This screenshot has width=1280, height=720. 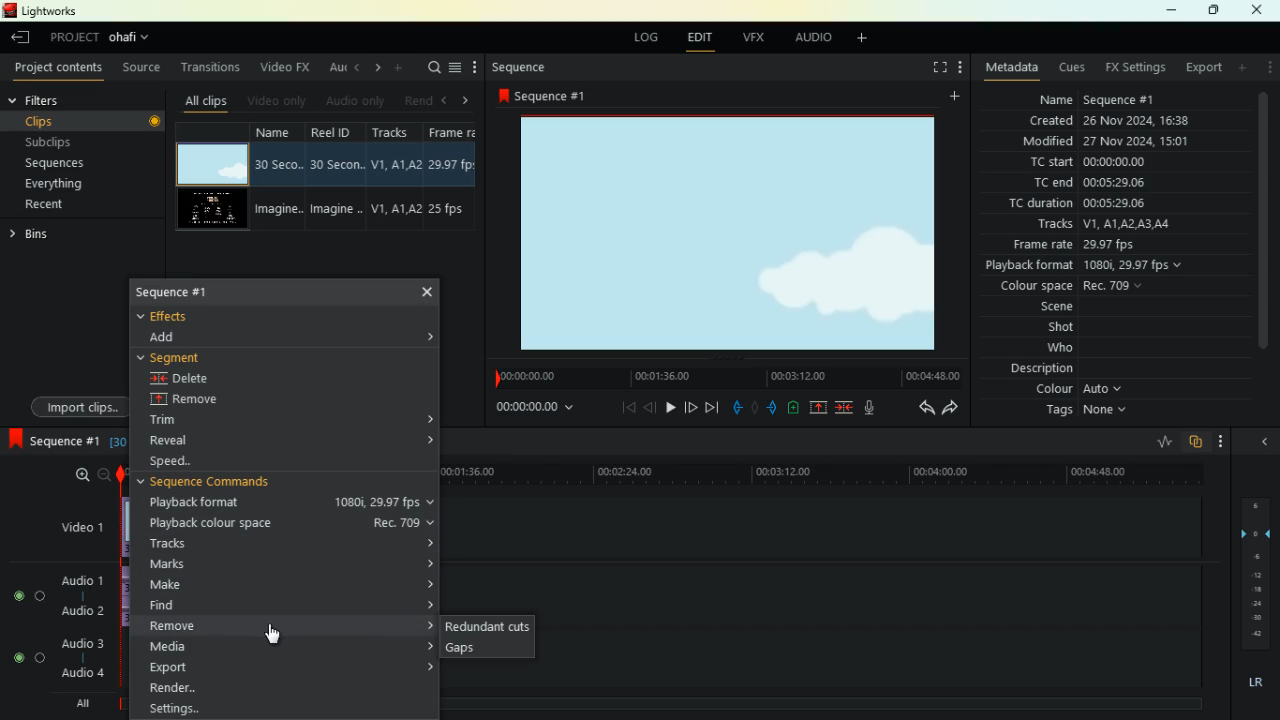 I want to click on minimize, so click(x=1169, y=11).